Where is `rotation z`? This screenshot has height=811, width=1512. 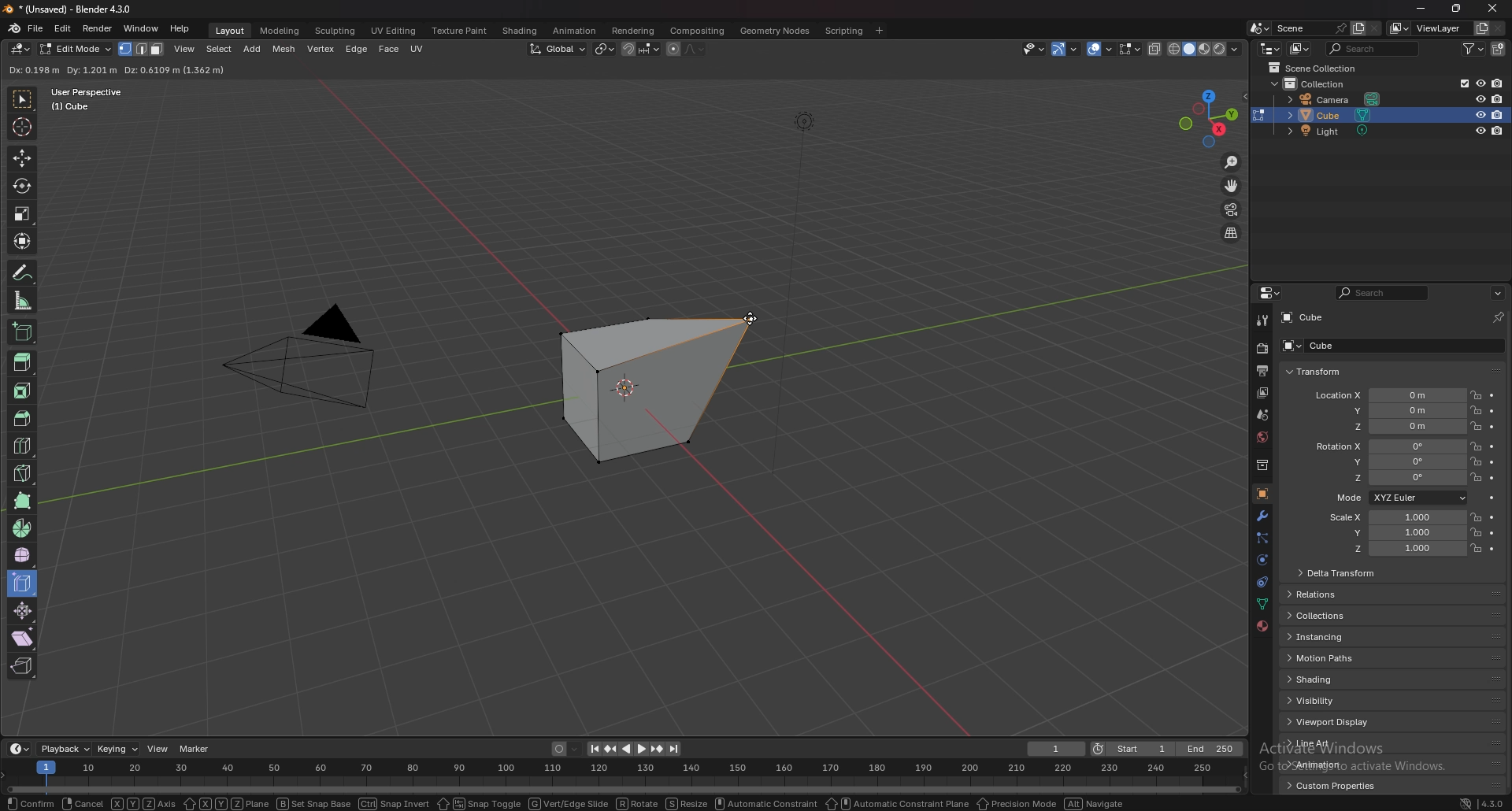 rotation z is located at coordinates (1395, 479).